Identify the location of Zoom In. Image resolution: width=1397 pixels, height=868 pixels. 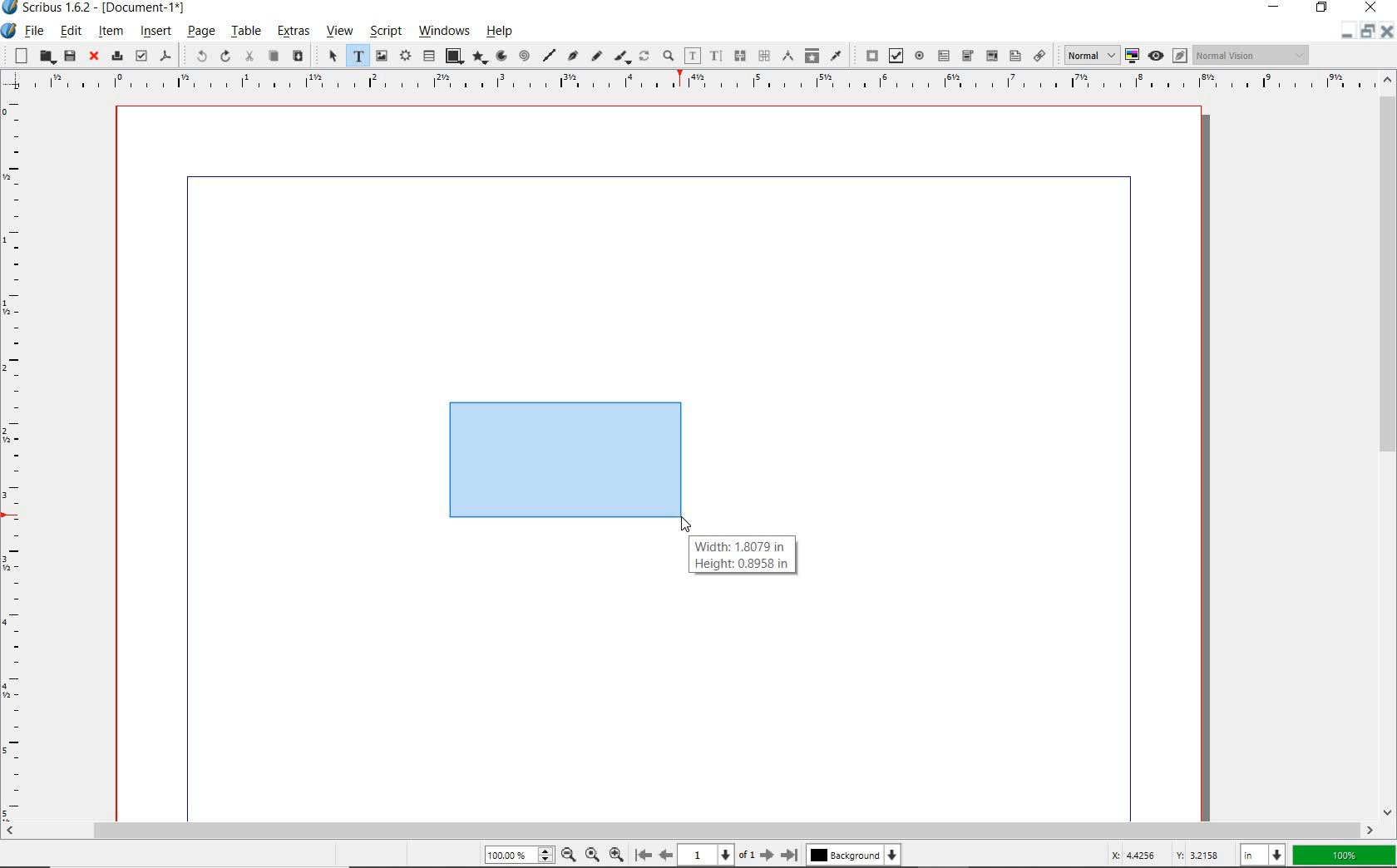
(616, 856).